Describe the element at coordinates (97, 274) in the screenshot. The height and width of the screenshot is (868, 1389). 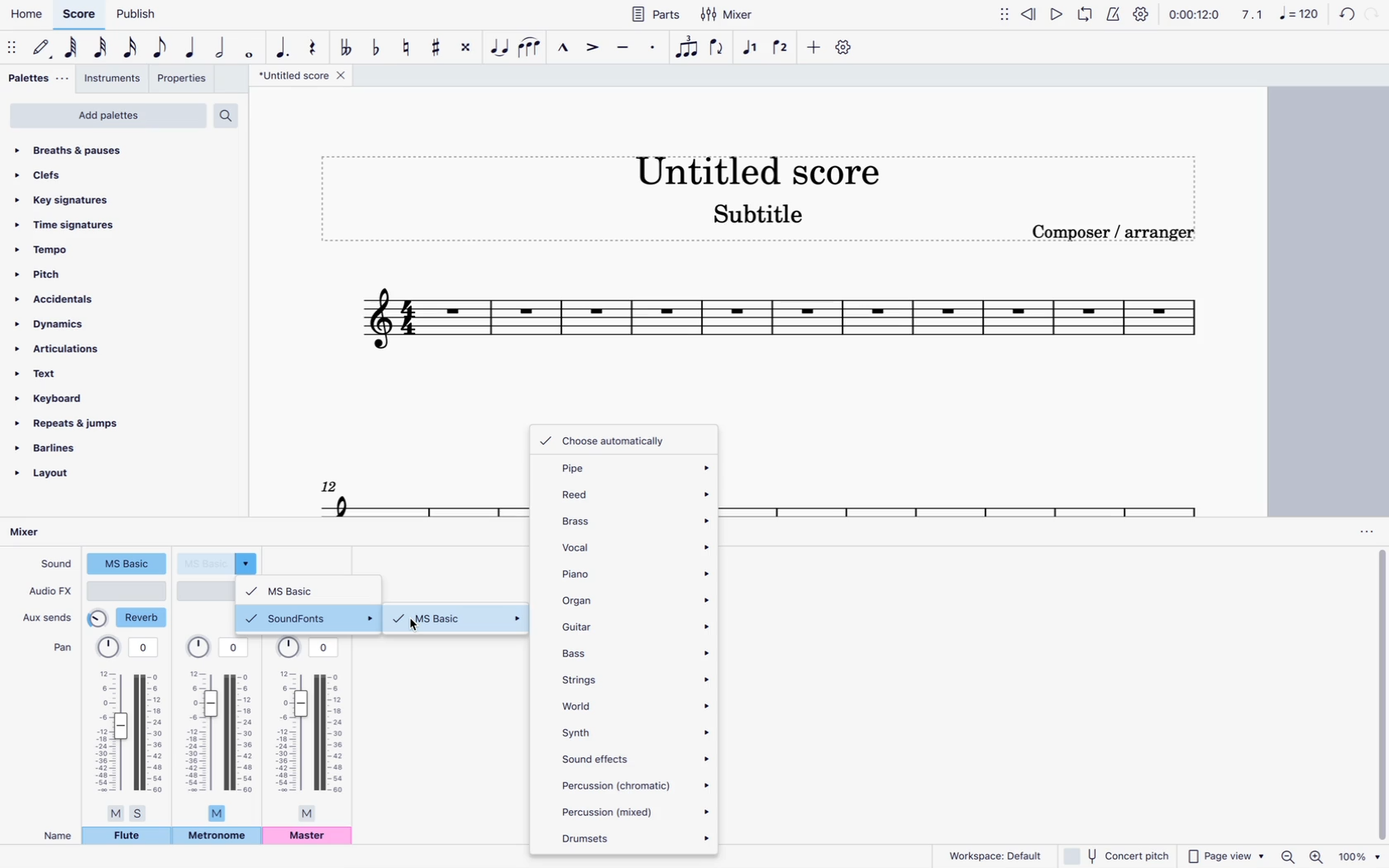
I see `pitch` at that location.